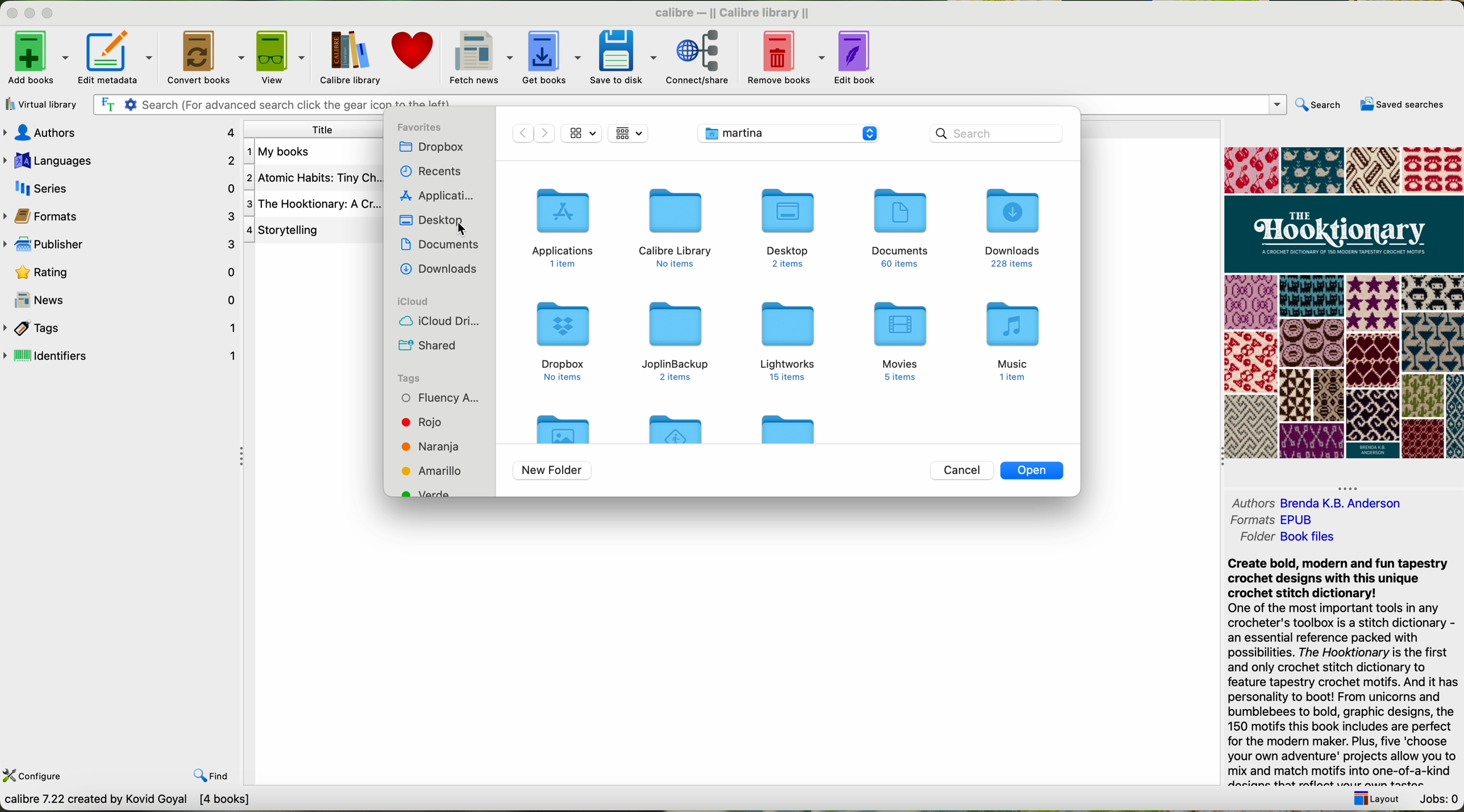 The image size is (1464, 812). What do you see at coordinates (1250, 503) in the screenshot?
I see `authors` at bounding box center [1250, 503].